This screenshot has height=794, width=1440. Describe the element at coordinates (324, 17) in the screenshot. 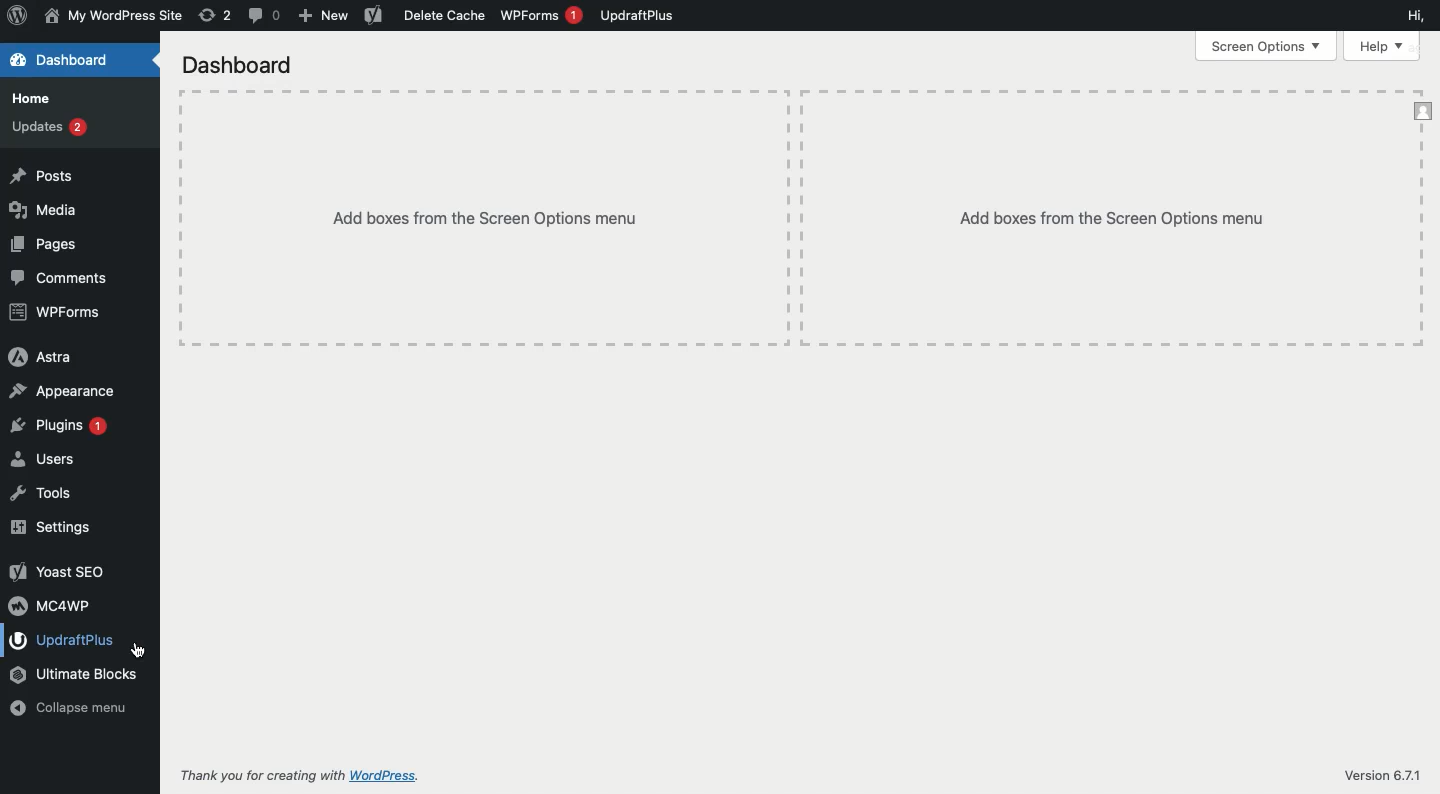

I see `New` at that location.